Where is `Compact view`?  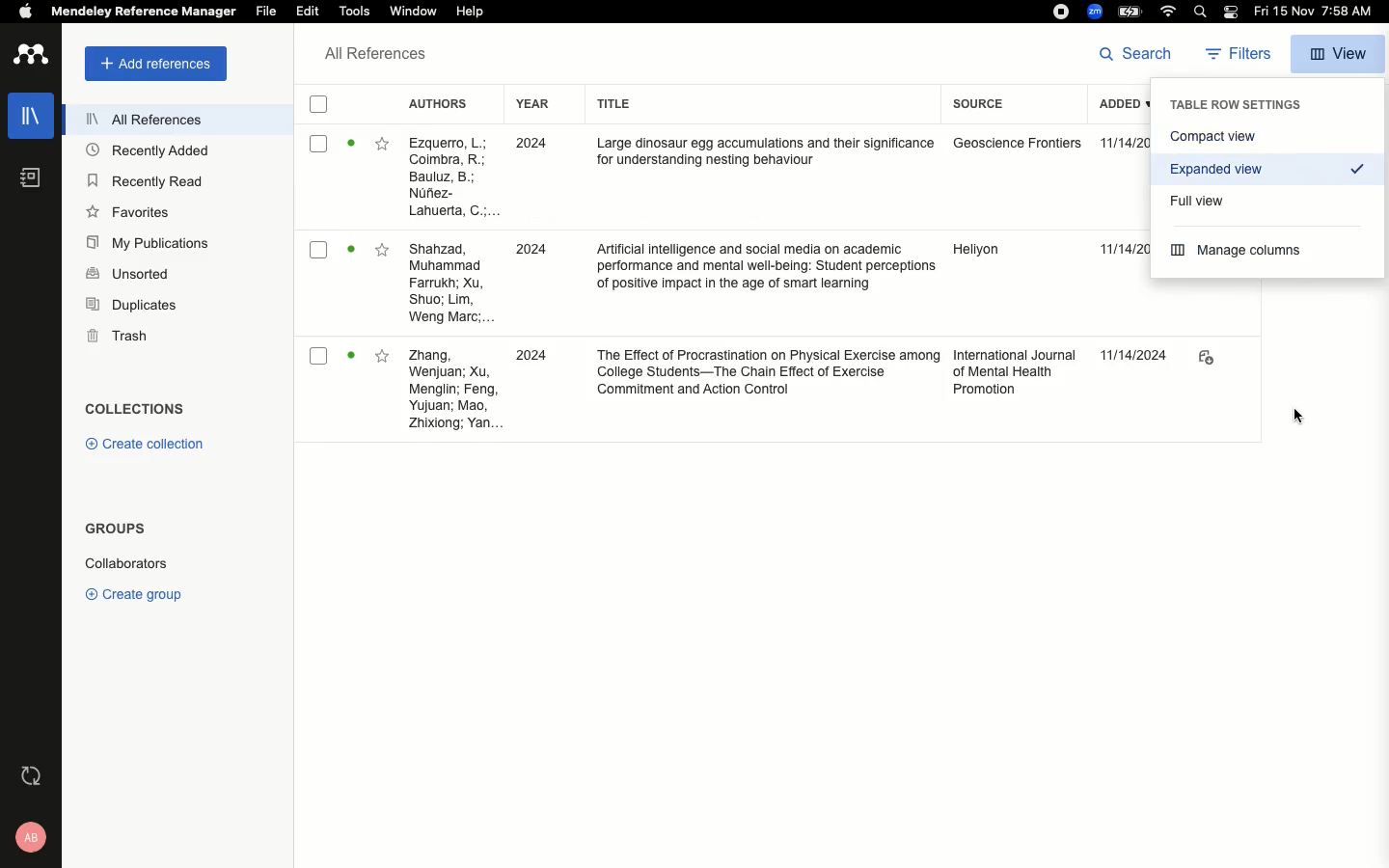
Compact view is located at coordinates (1267, 137).